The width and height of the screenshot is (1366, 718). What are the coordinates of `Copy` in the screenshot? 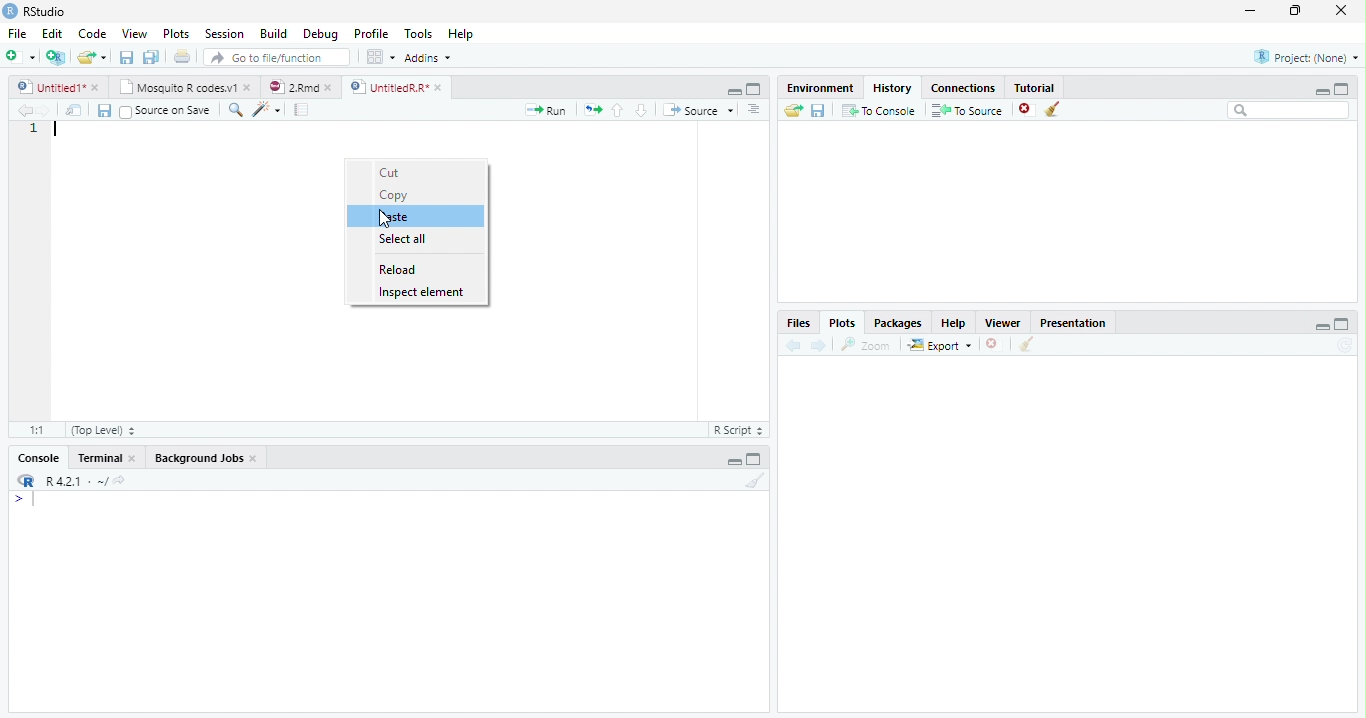 It's located at (396, 195).